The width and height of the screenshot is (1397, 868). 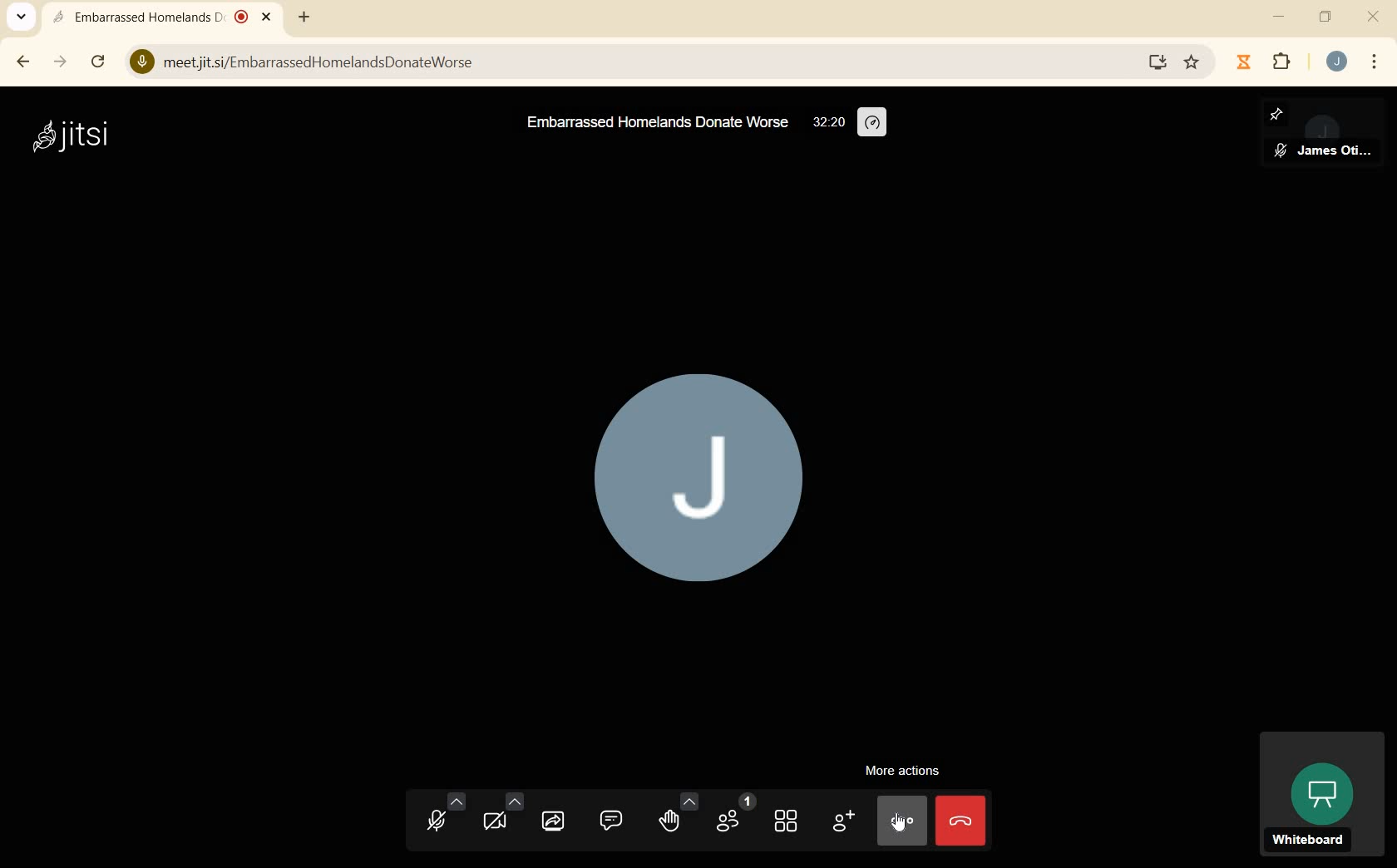 I want to click on Jibble, so click(x=1243, y=62).